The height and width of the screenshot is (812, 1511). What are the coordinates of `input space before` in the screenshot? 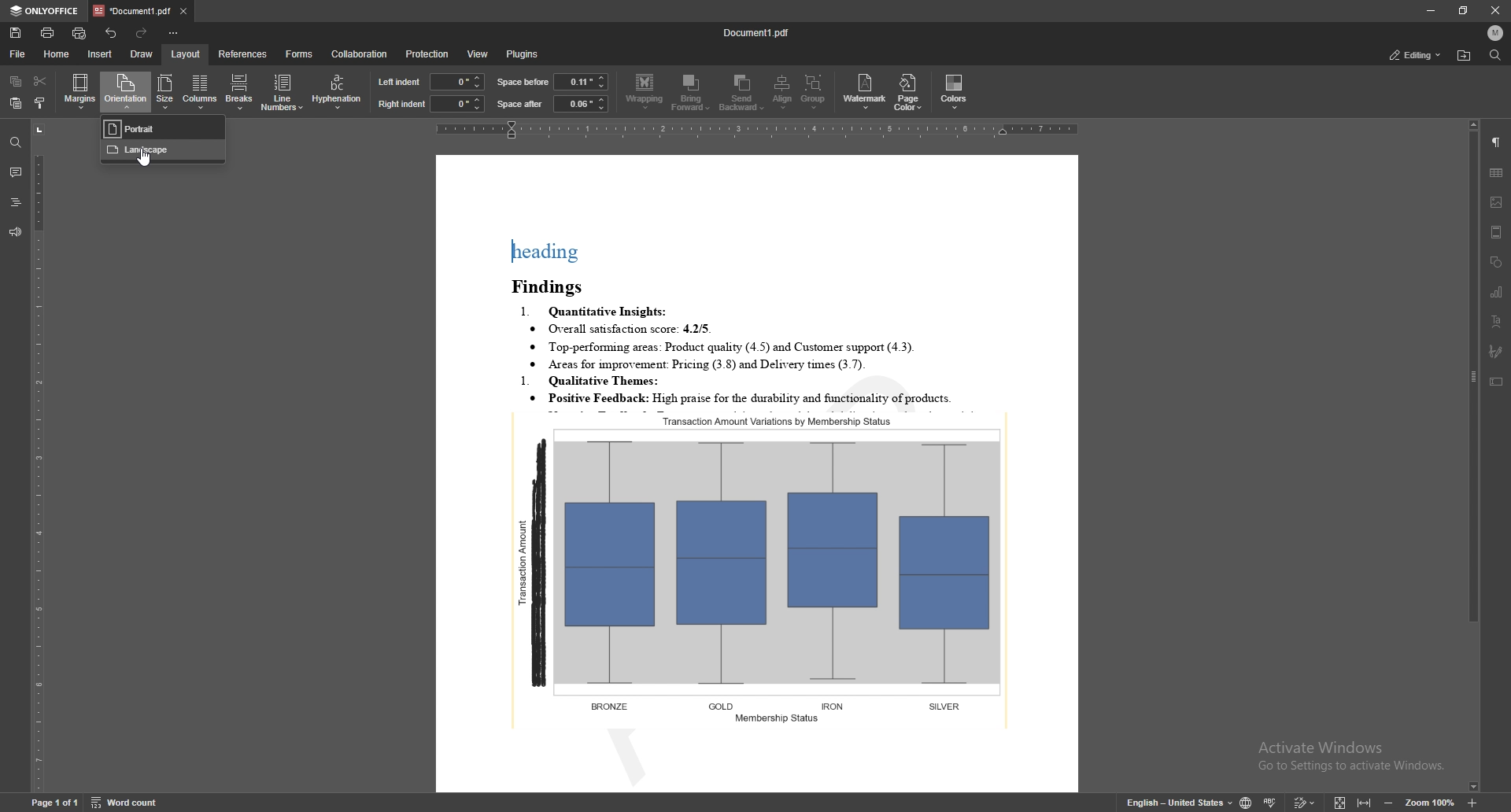 It's located at (580, 81).